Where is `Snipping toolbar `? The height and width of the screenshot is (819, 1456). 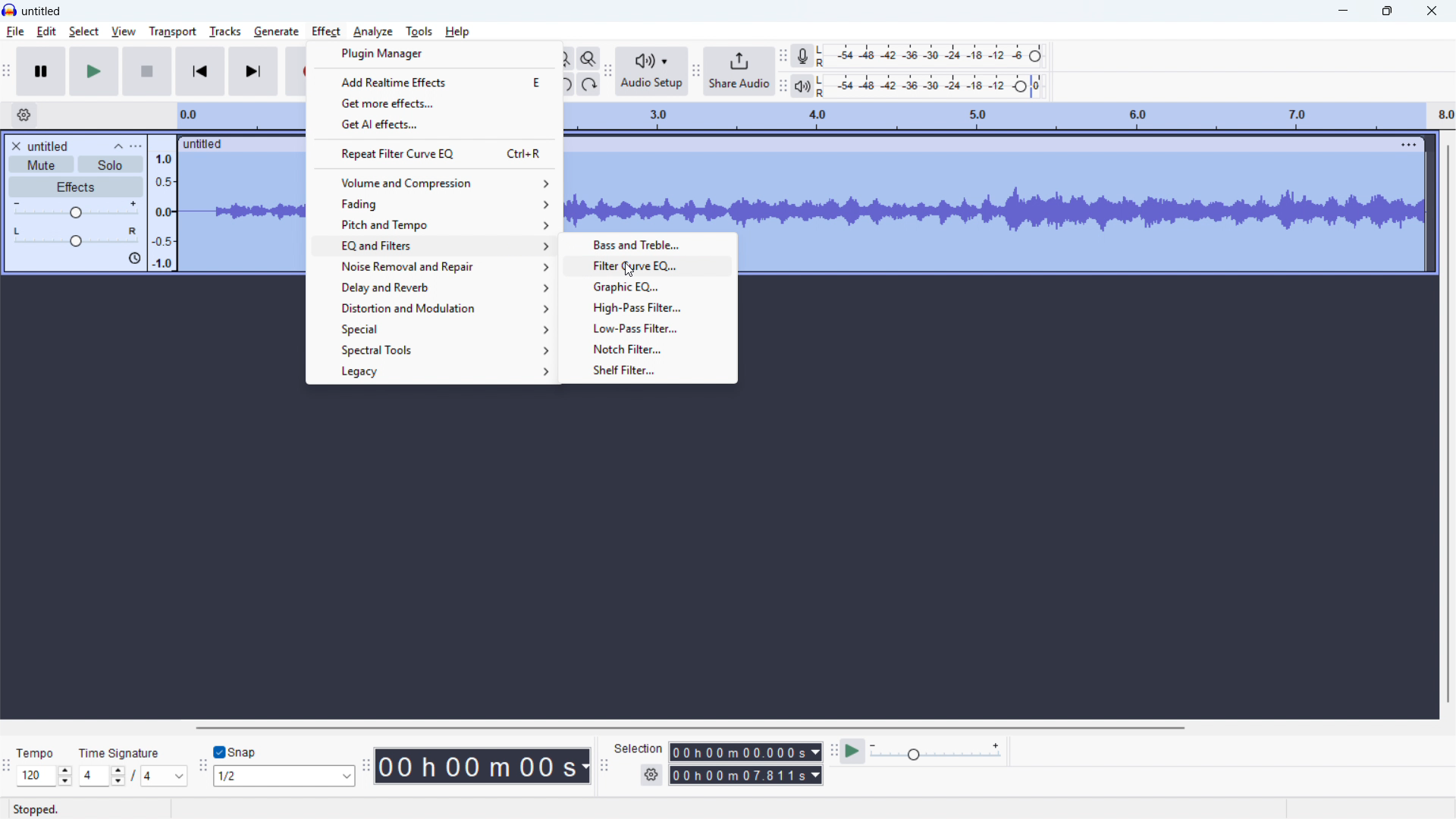
Snipping toolbar  is located at coordinates (202, 769).